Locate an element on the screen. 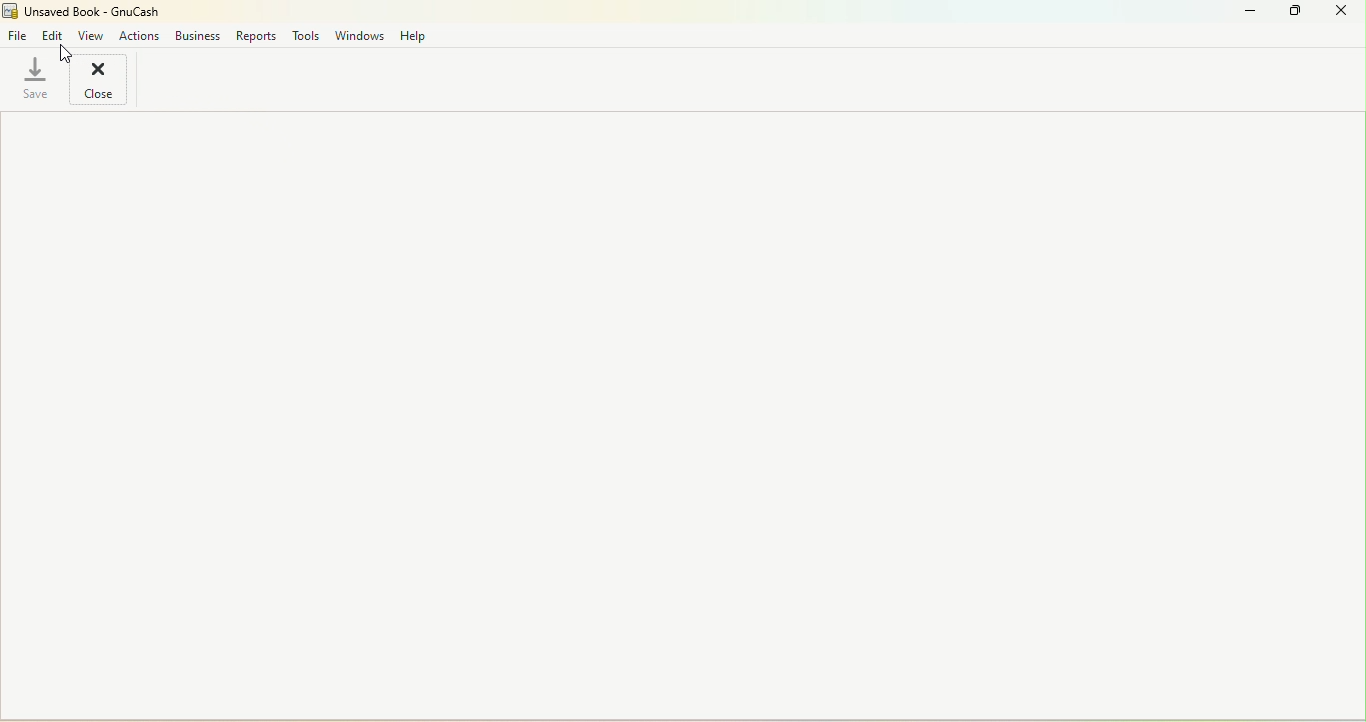 This screenshot has height=722, width=1366. Windows is located at coordinates (357, 33).